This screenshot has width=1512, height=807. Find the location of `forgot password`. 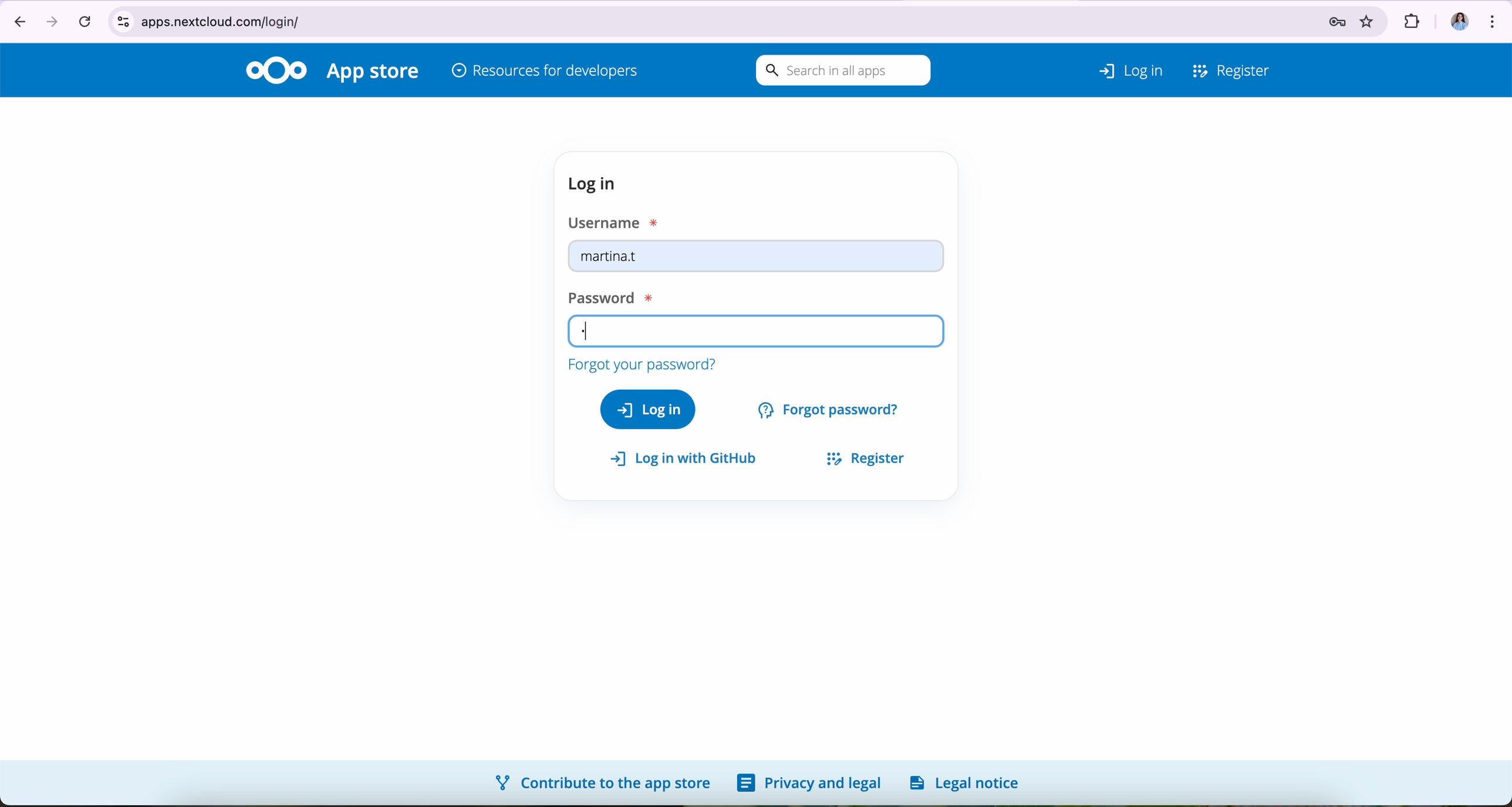

forgot password is located at coordinates (831, 408).